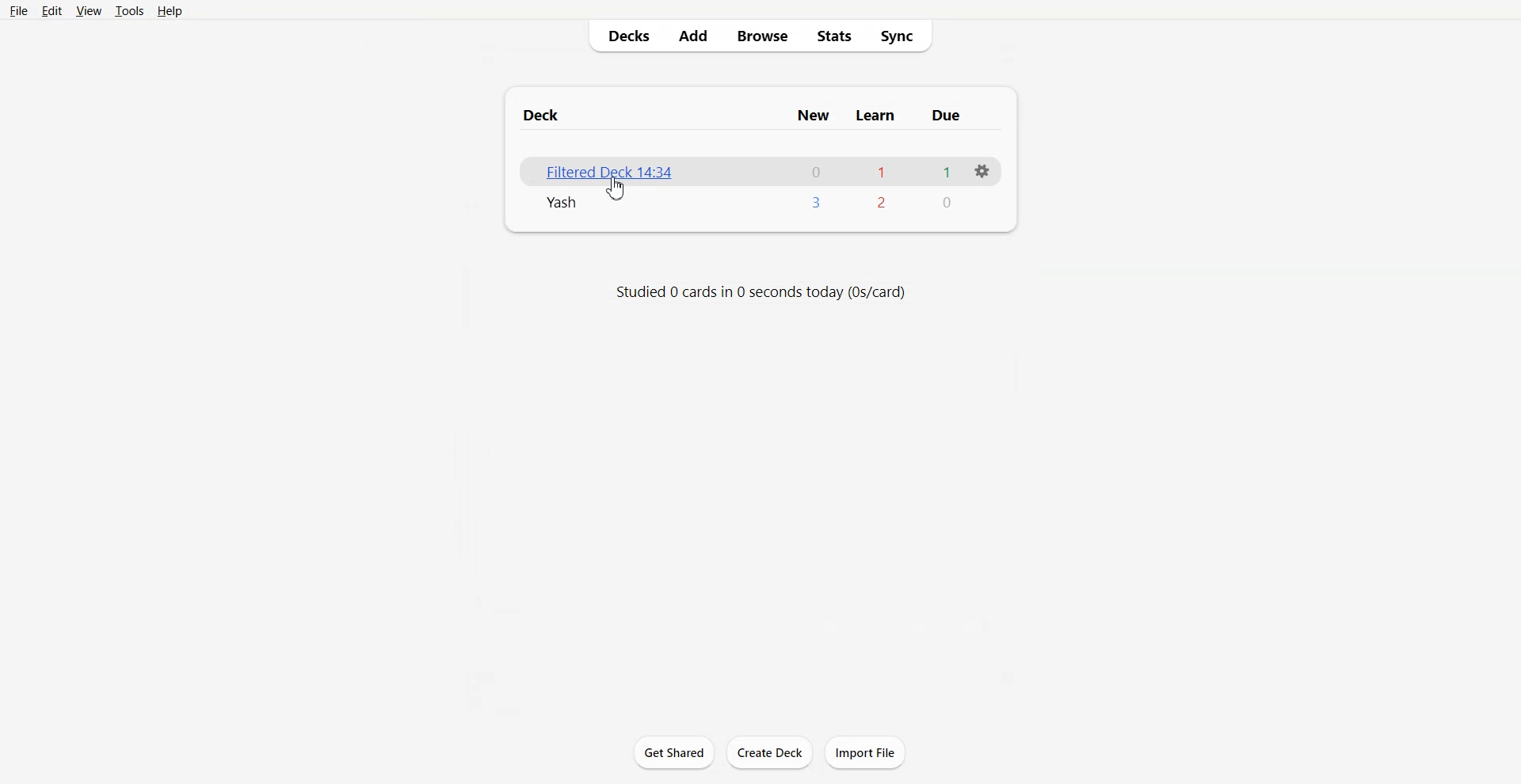 Image resolution: width=1521 pixels, height=784 pixels. Describe the element at coordinates (982, 172) in the screenshot. I see `Settings` at that location.